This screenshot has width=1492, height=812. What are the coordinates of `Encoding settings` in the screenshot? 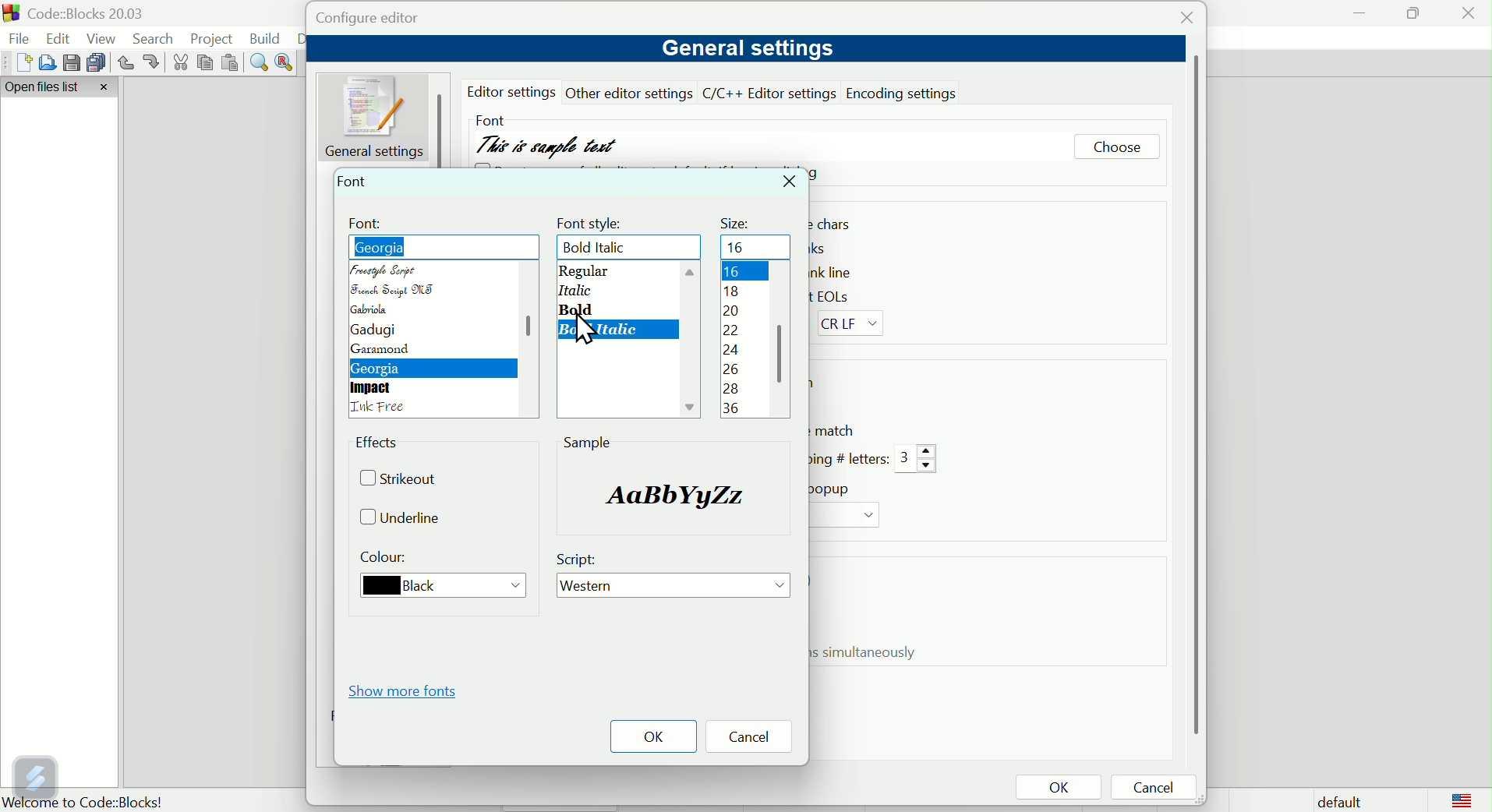 It's located at (905, 92).